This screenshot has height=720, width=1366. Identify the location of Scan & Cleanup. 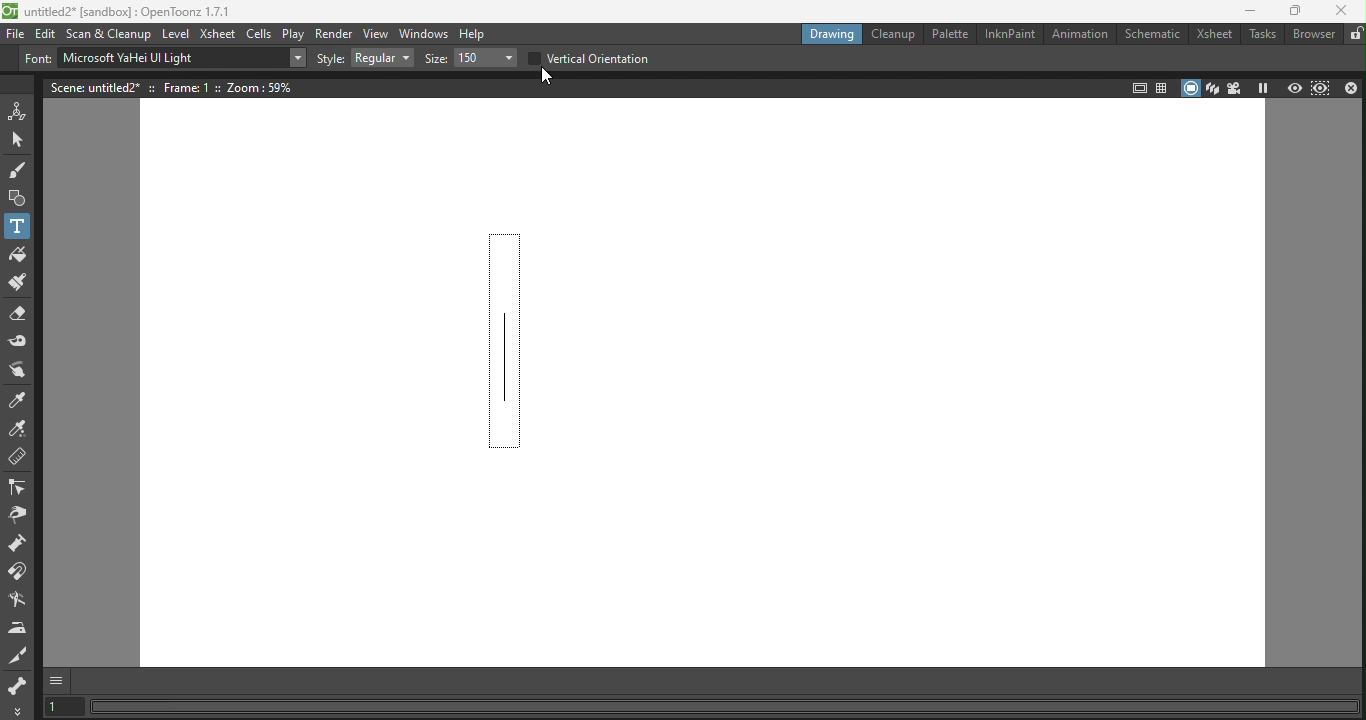
(112, 35).